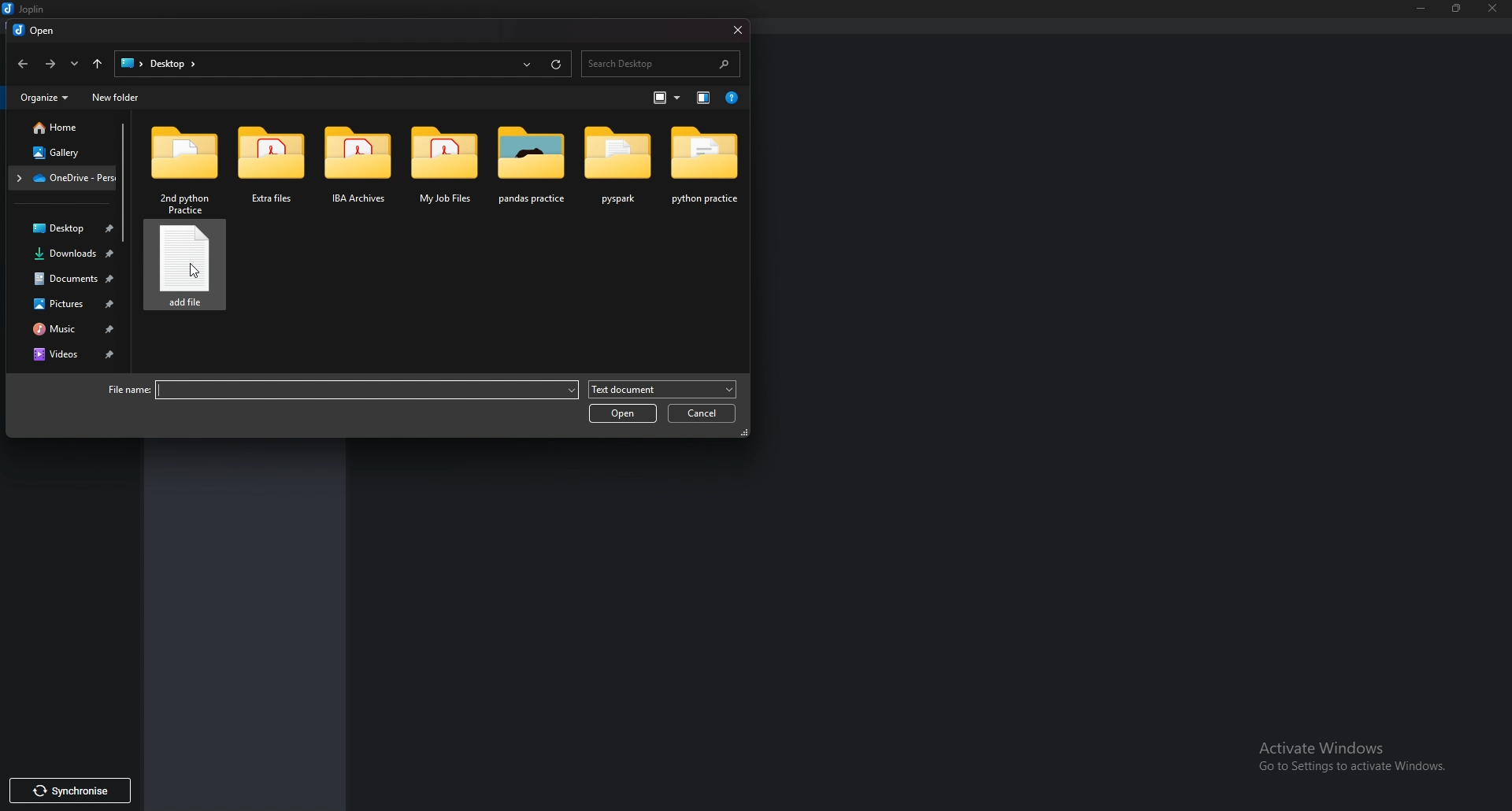 The height and width of the screenshot is (811, 1512). What do you see at coordinates (64, 230) in the screenshot?
I see `Desktop` at bounding box center [64, 230].